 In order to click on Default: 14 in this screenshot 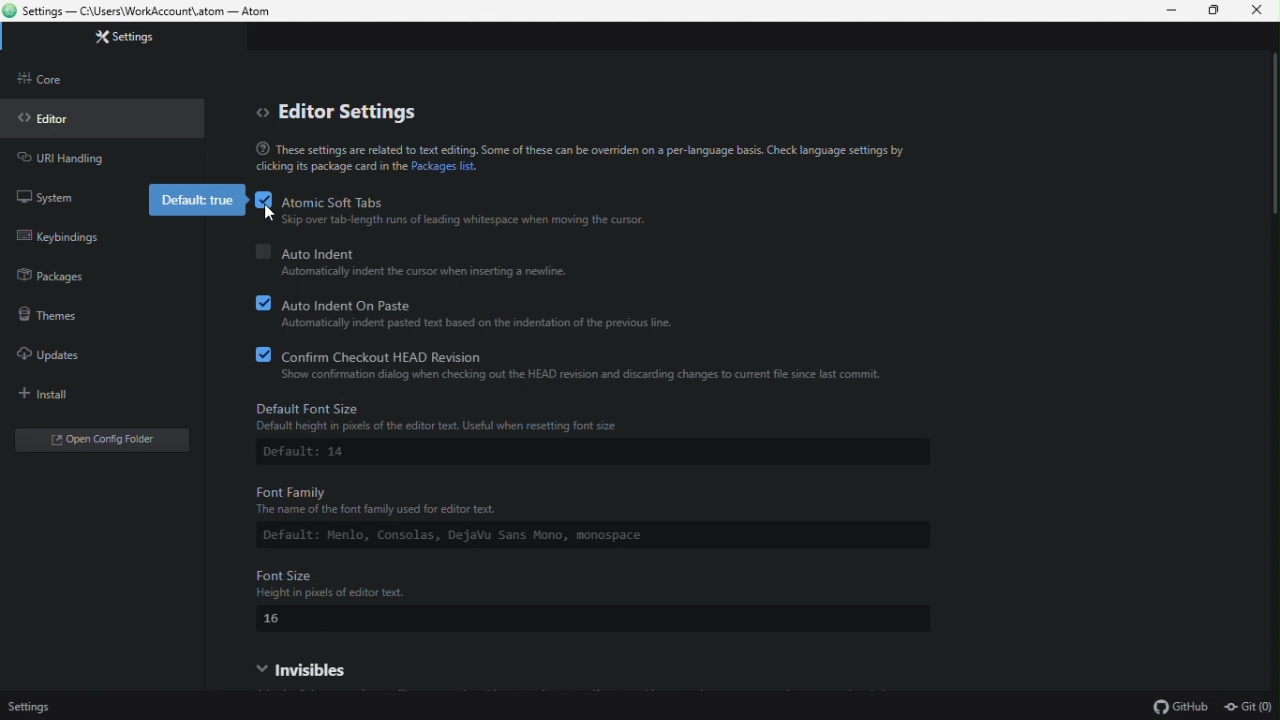, I will do `click(311, 454)`.